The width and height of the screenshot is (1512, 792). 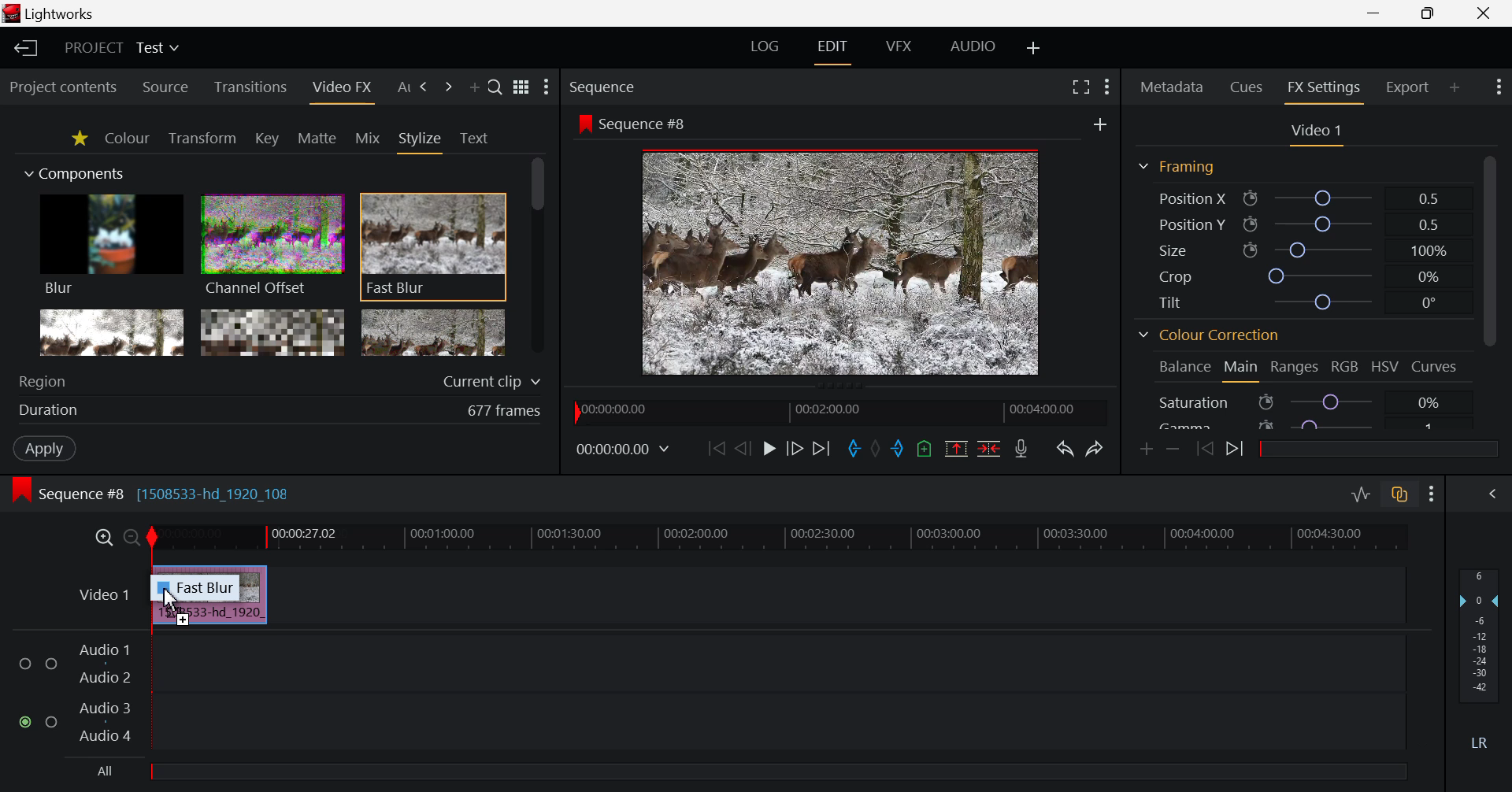 I want to click on Show Audio Mix, so click(x=1492, y=493).